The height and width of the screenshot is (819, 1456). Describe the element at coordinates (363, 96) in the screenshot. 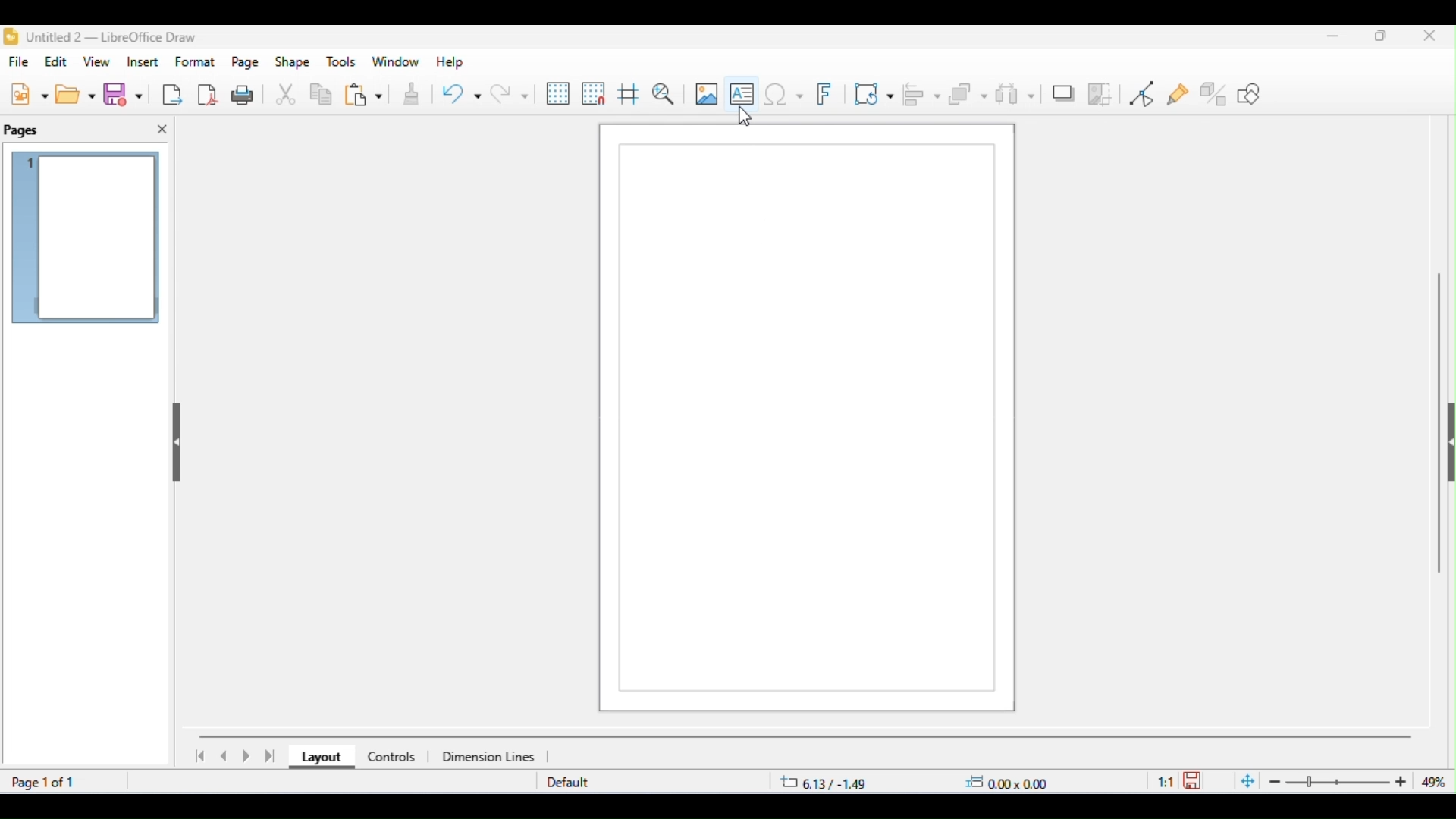

I see `paste` at that location.